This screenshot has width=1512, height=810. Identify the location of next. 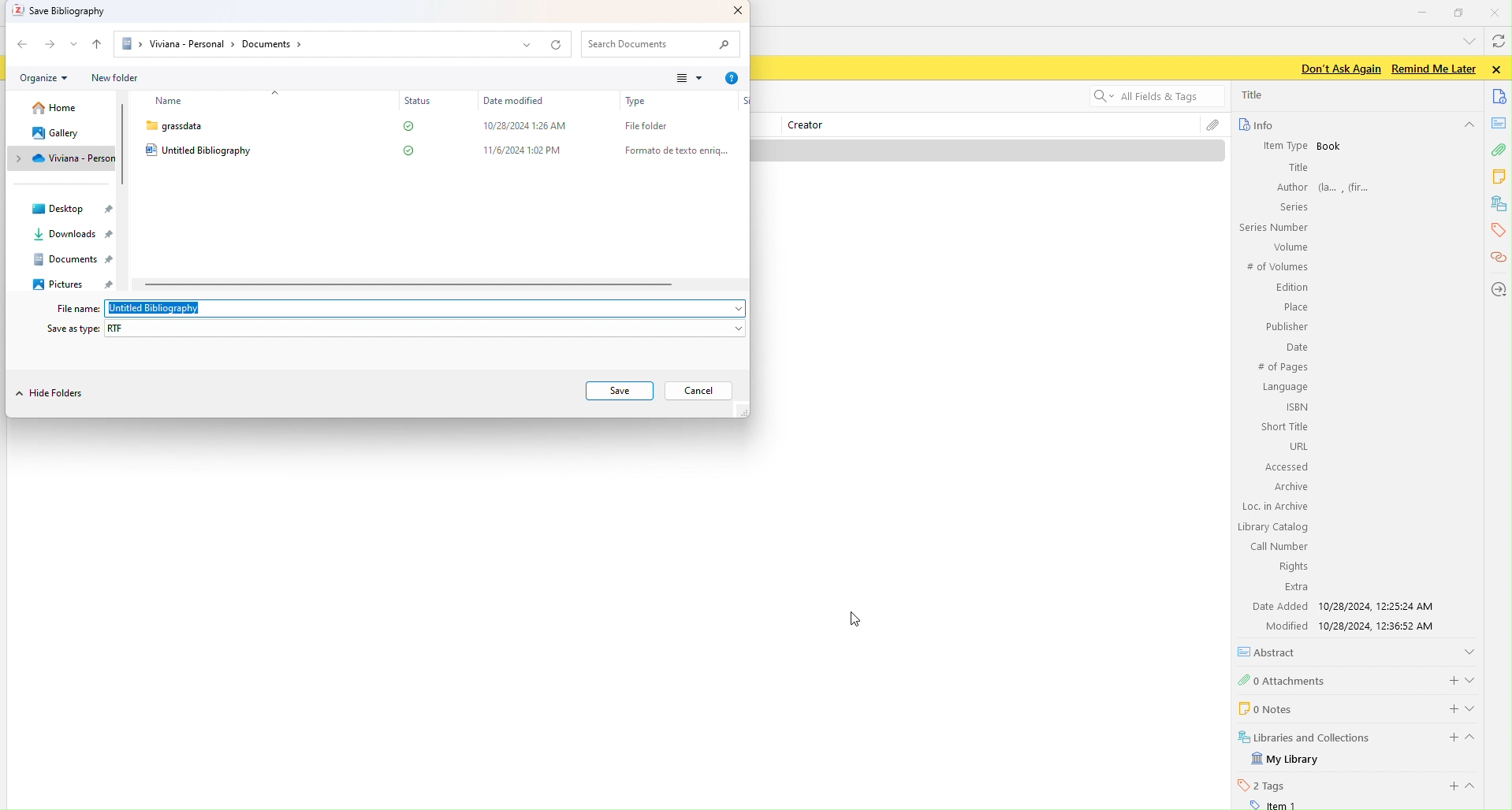
(50, 46).